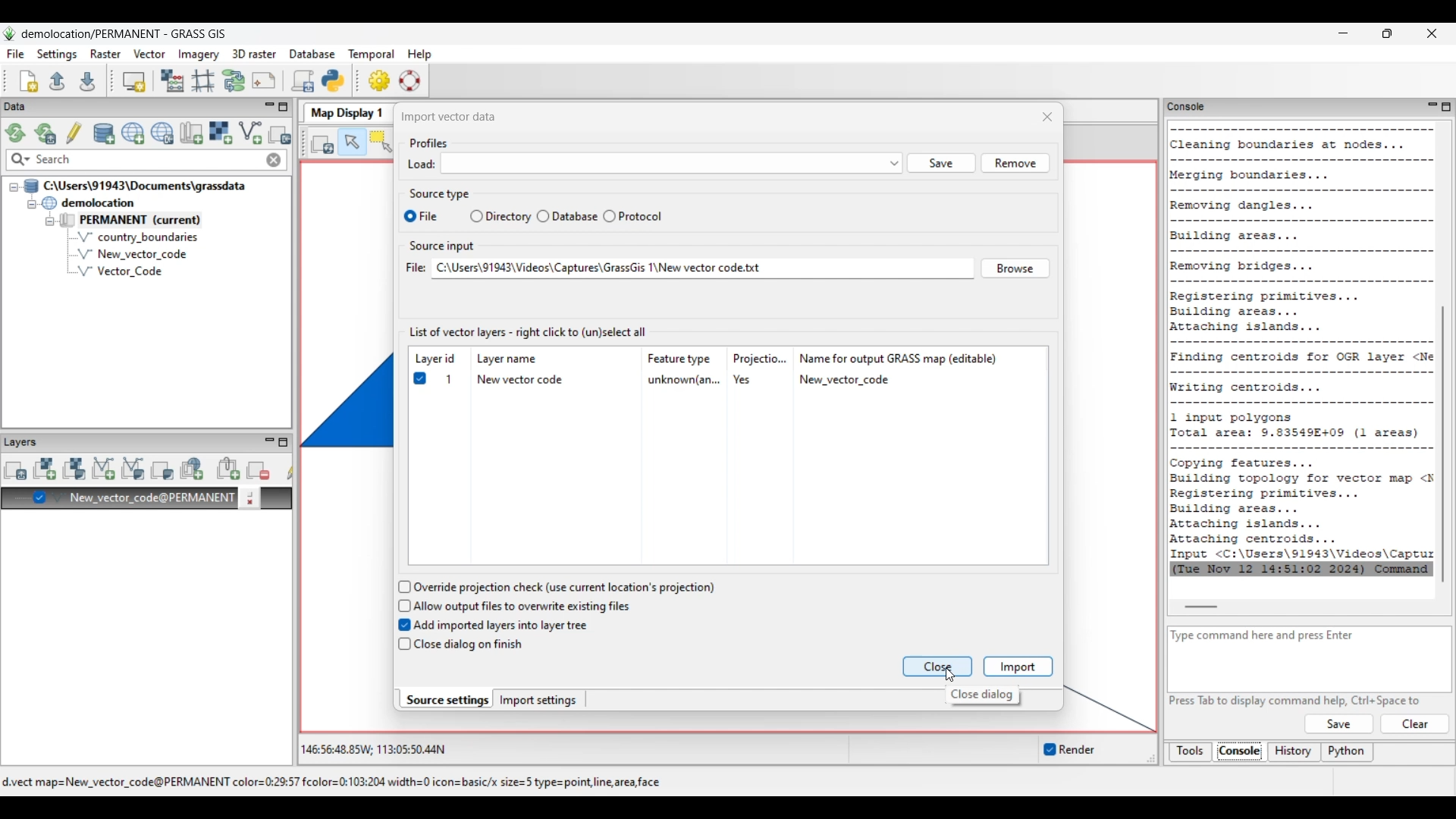 This screenshot has width=1456, height=819. I want to click on Reload current GRASS mapset only, so click(45, 133).